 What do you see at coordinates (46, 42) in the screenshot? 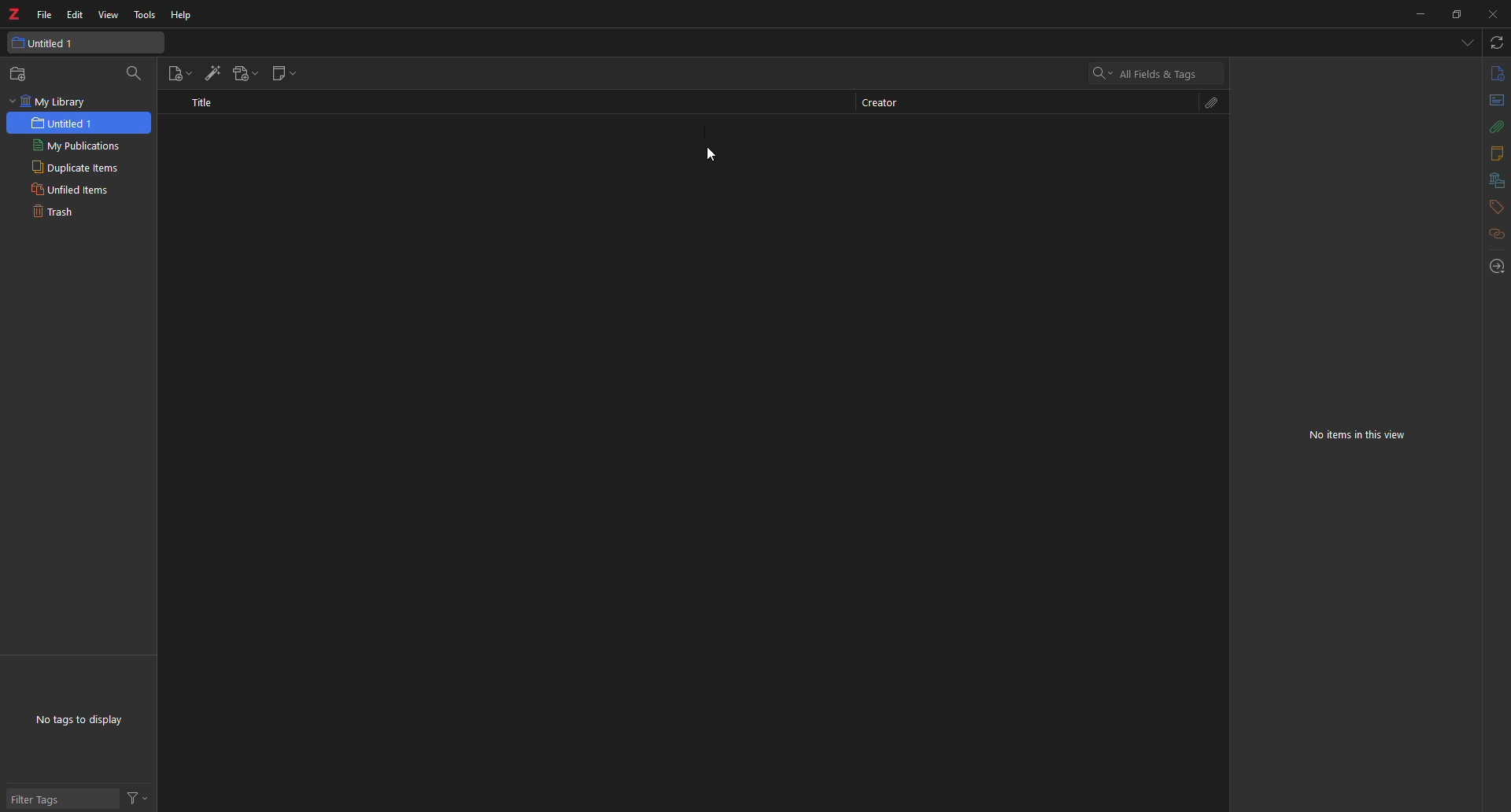
I see `untitled` at bounding box center [46, 42].